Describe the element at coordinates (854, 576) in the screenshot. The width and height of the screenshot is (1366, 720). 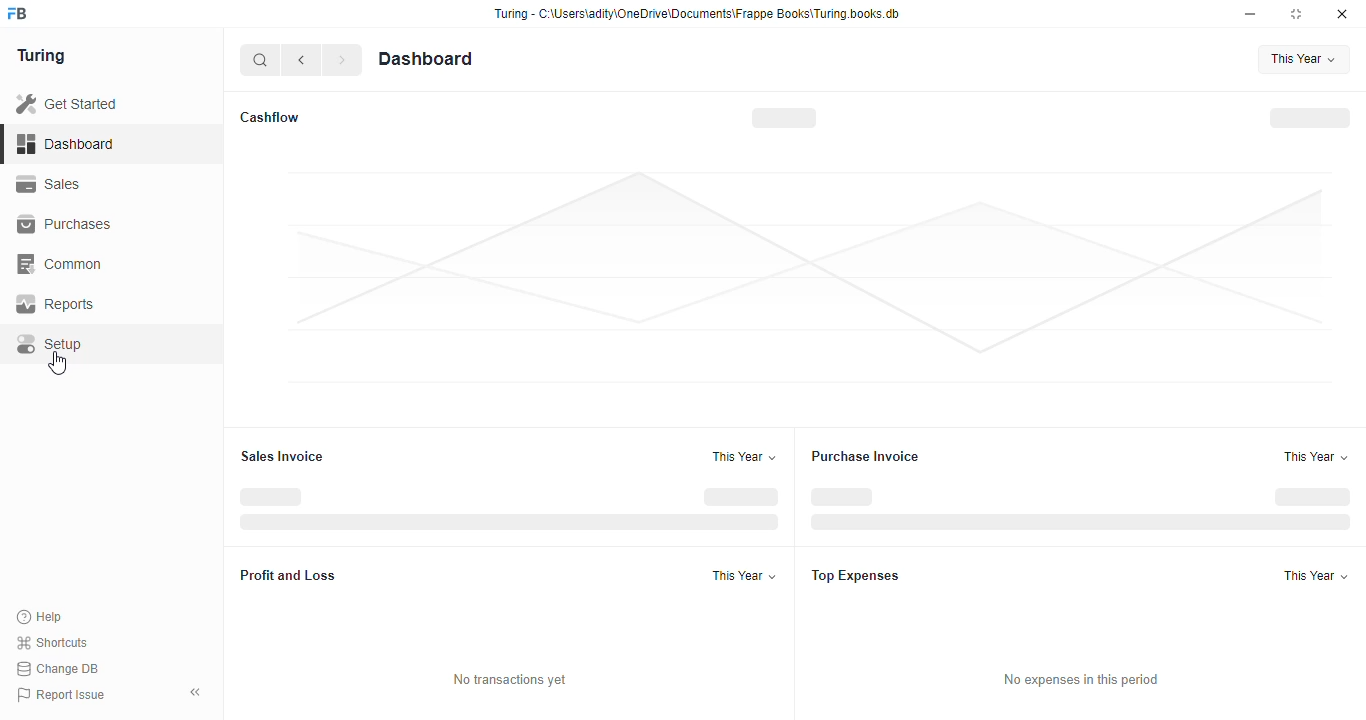
I see `Top Expenses` at that location.